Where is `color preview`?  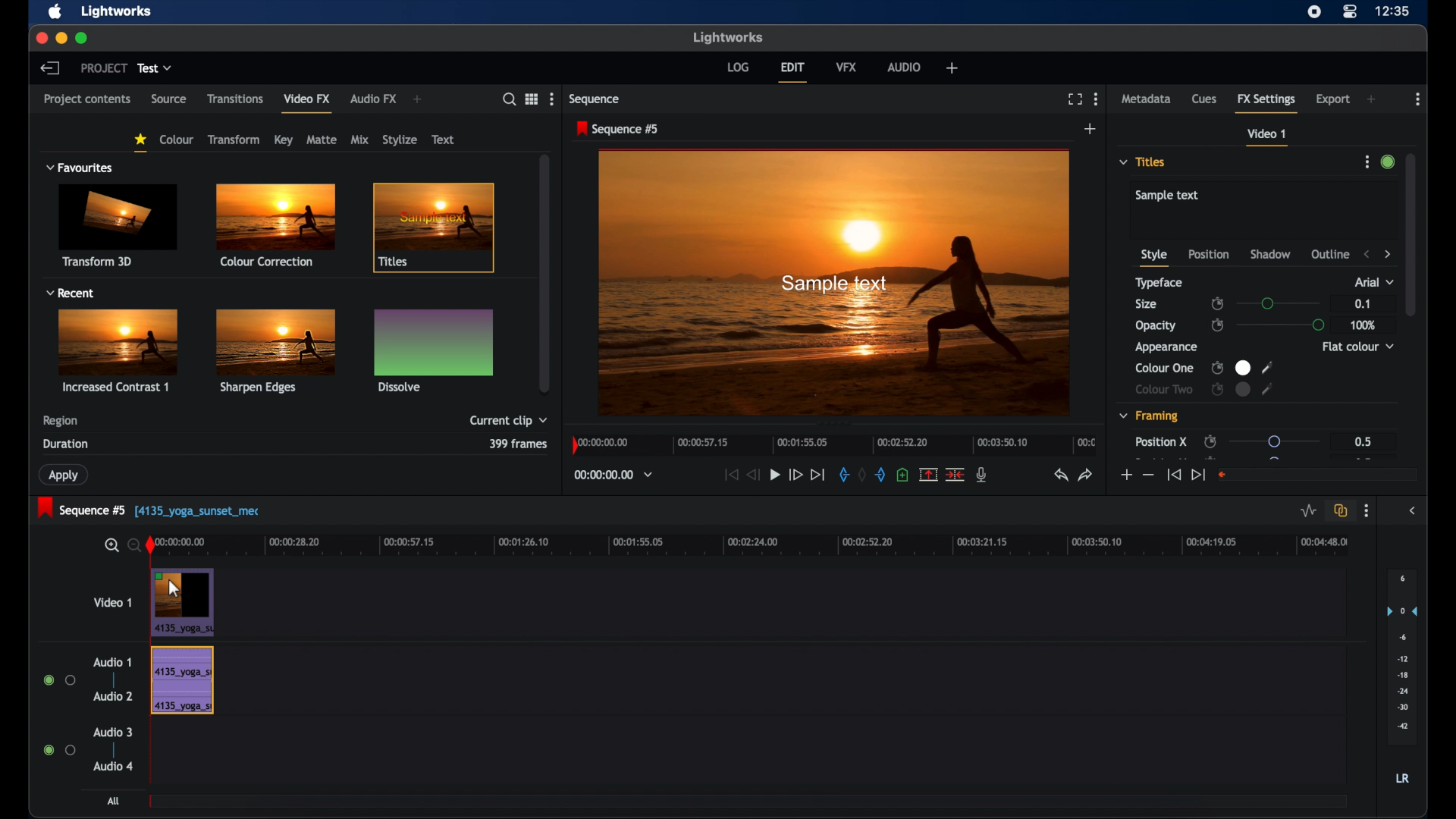 color preview is located at coordinates (1242, 390).